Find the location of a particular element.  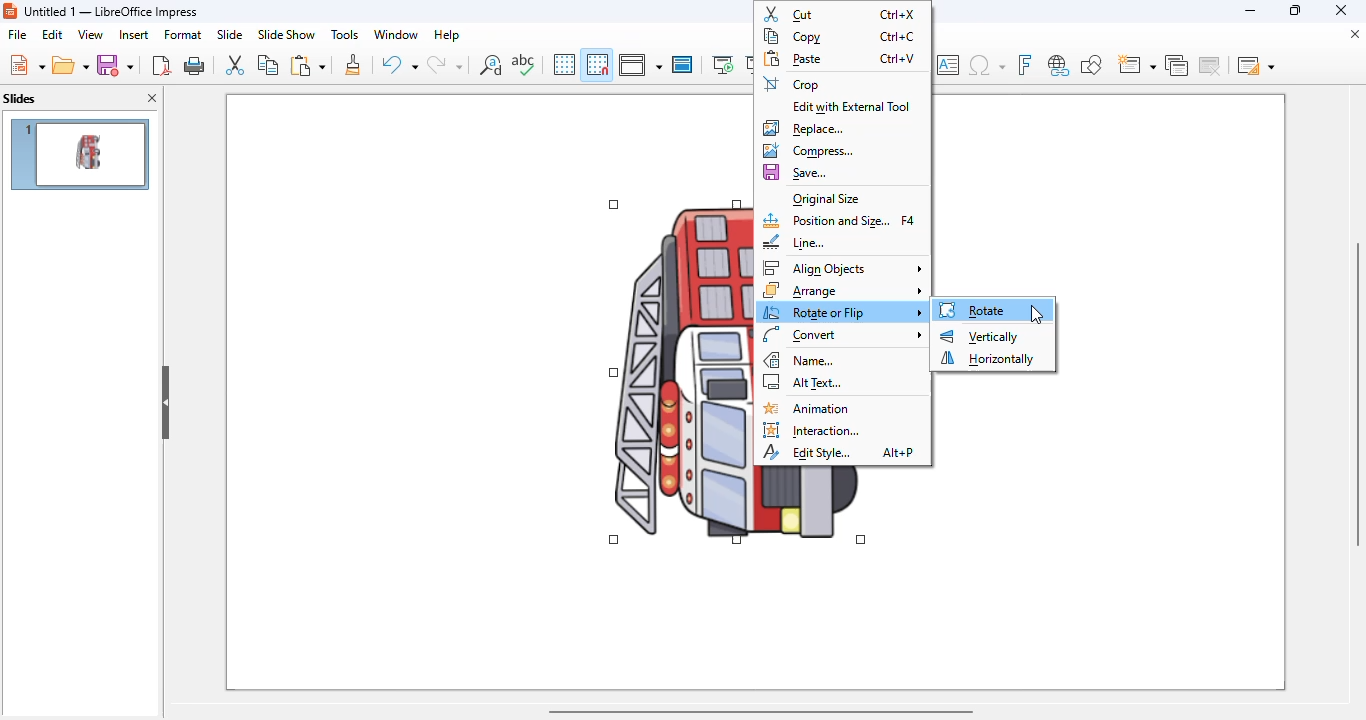

slide show is located at coordinates (286, 34).